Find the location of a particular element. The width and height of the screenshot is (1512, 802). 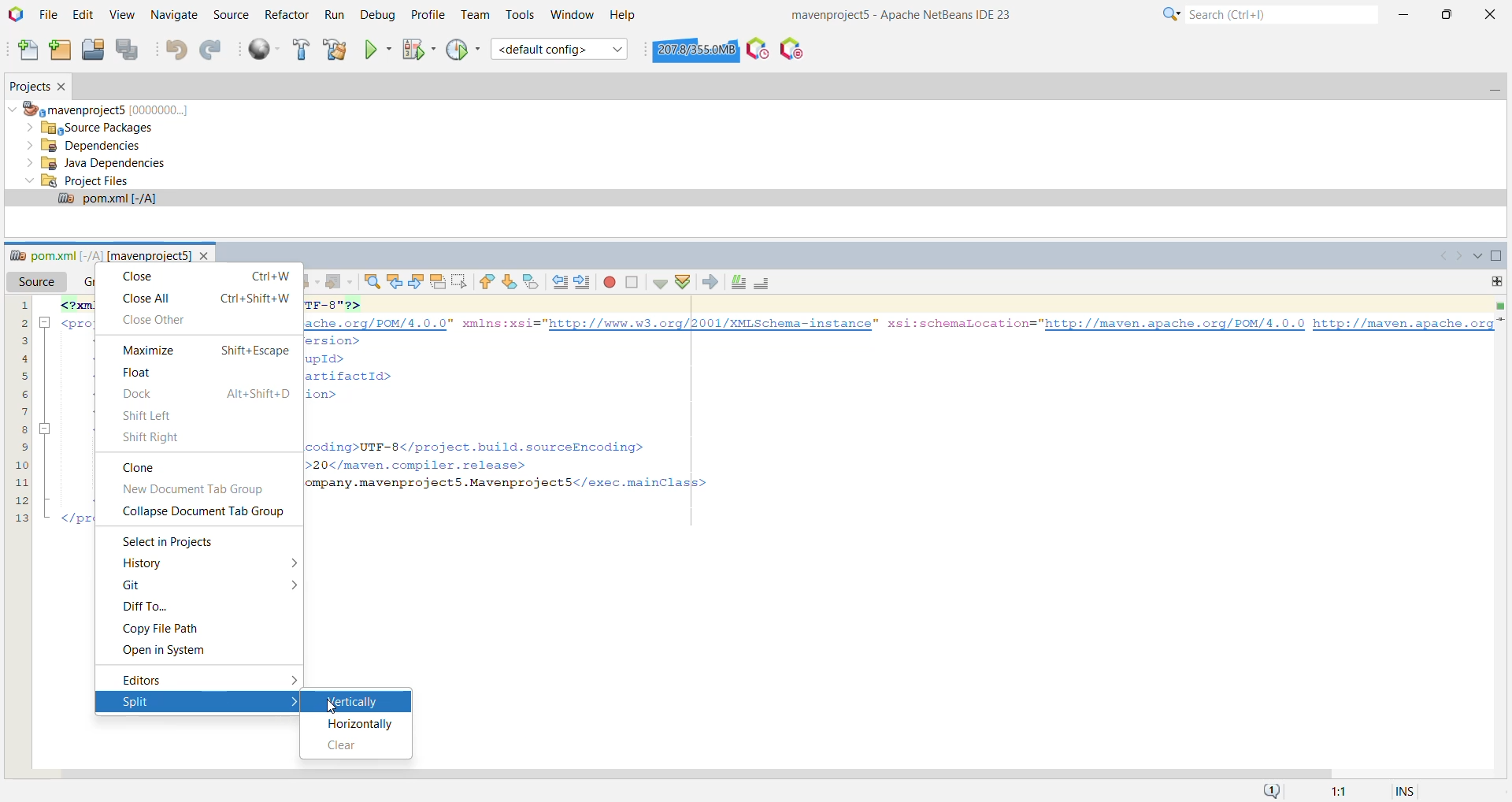

Notifications is located at coordinates (1269, 790).